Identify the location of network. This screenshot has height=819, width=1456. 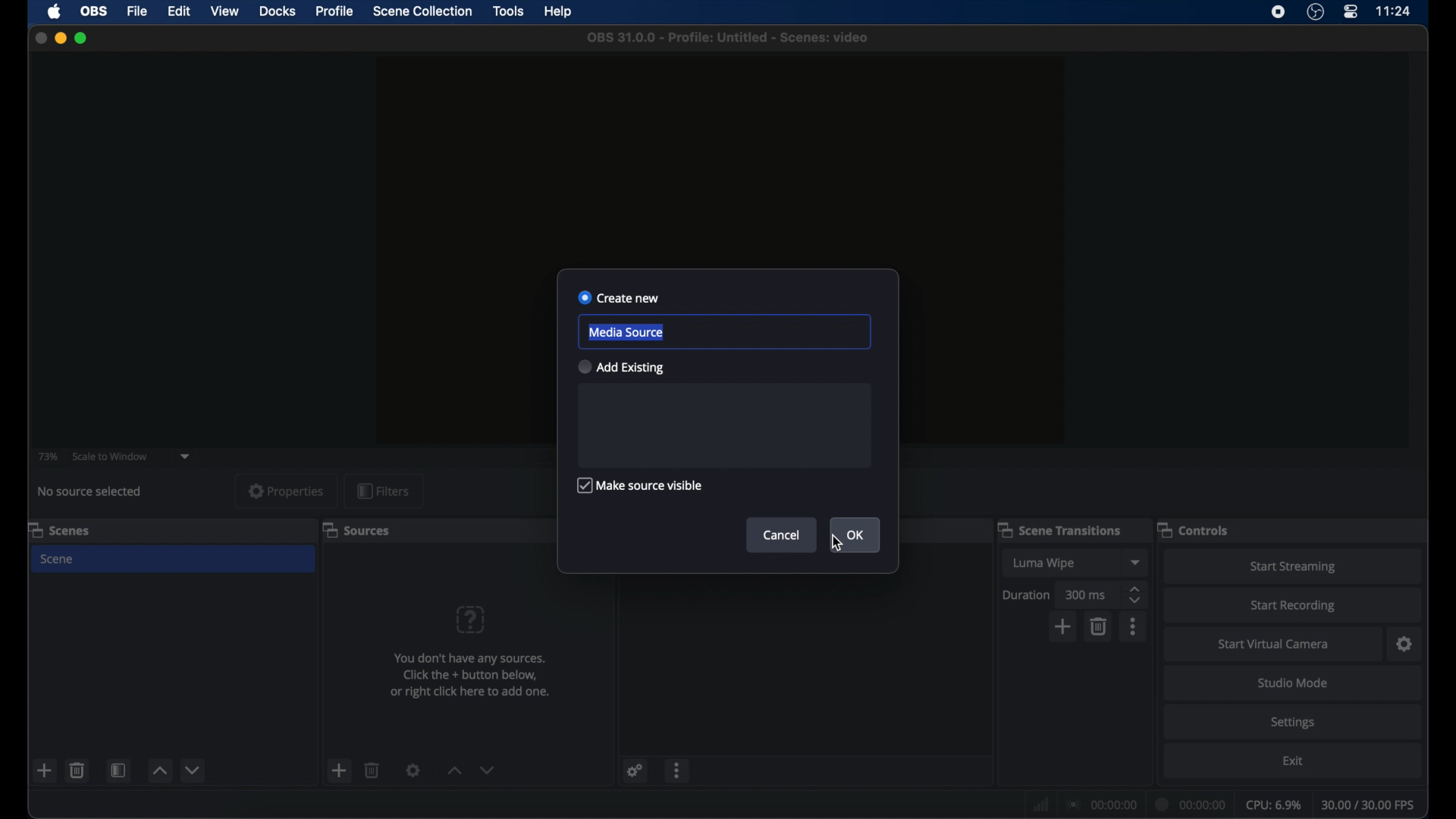
(1040, 805).